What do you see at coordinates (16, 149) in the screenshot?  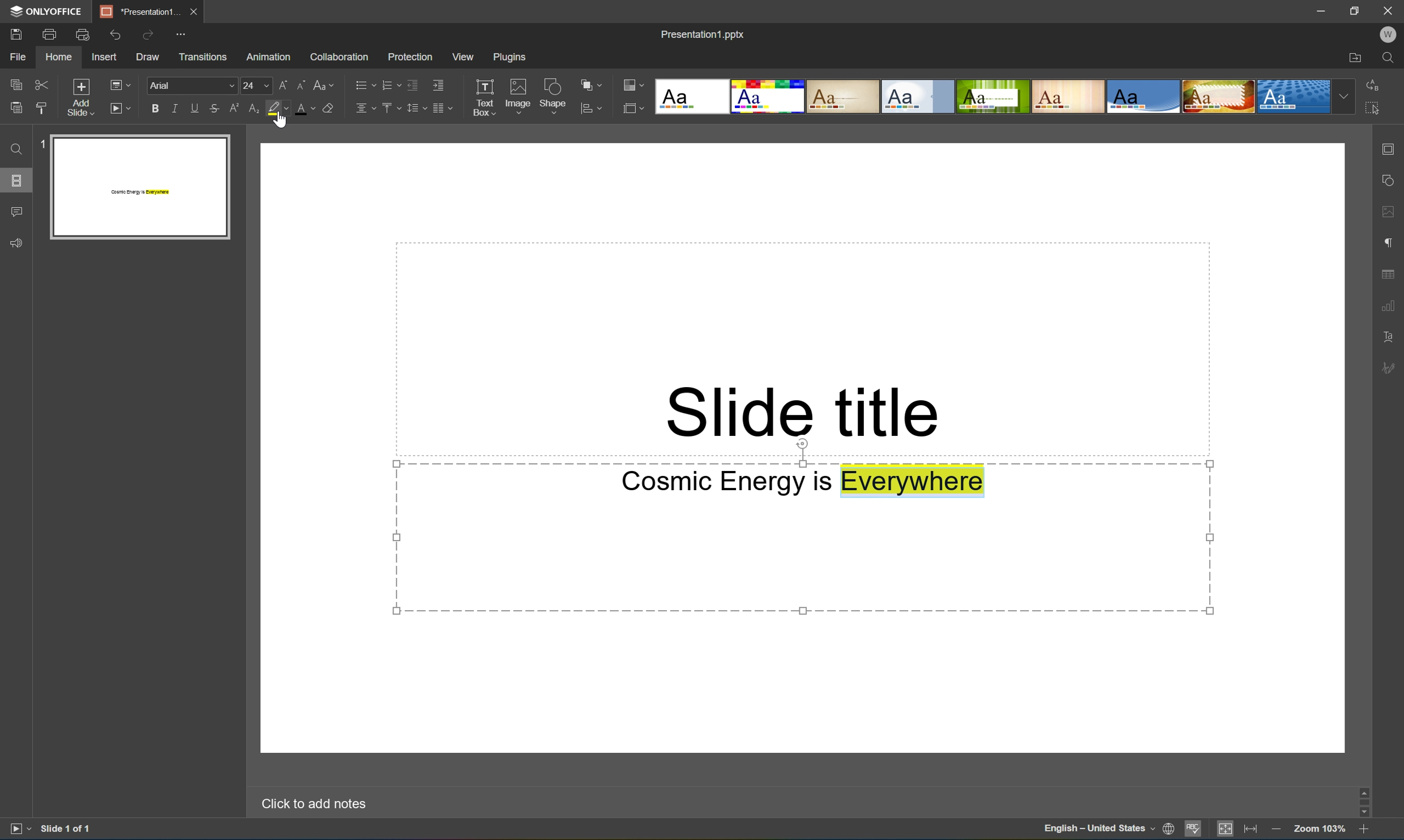 I see `Find` at bounding box center [16, 149].